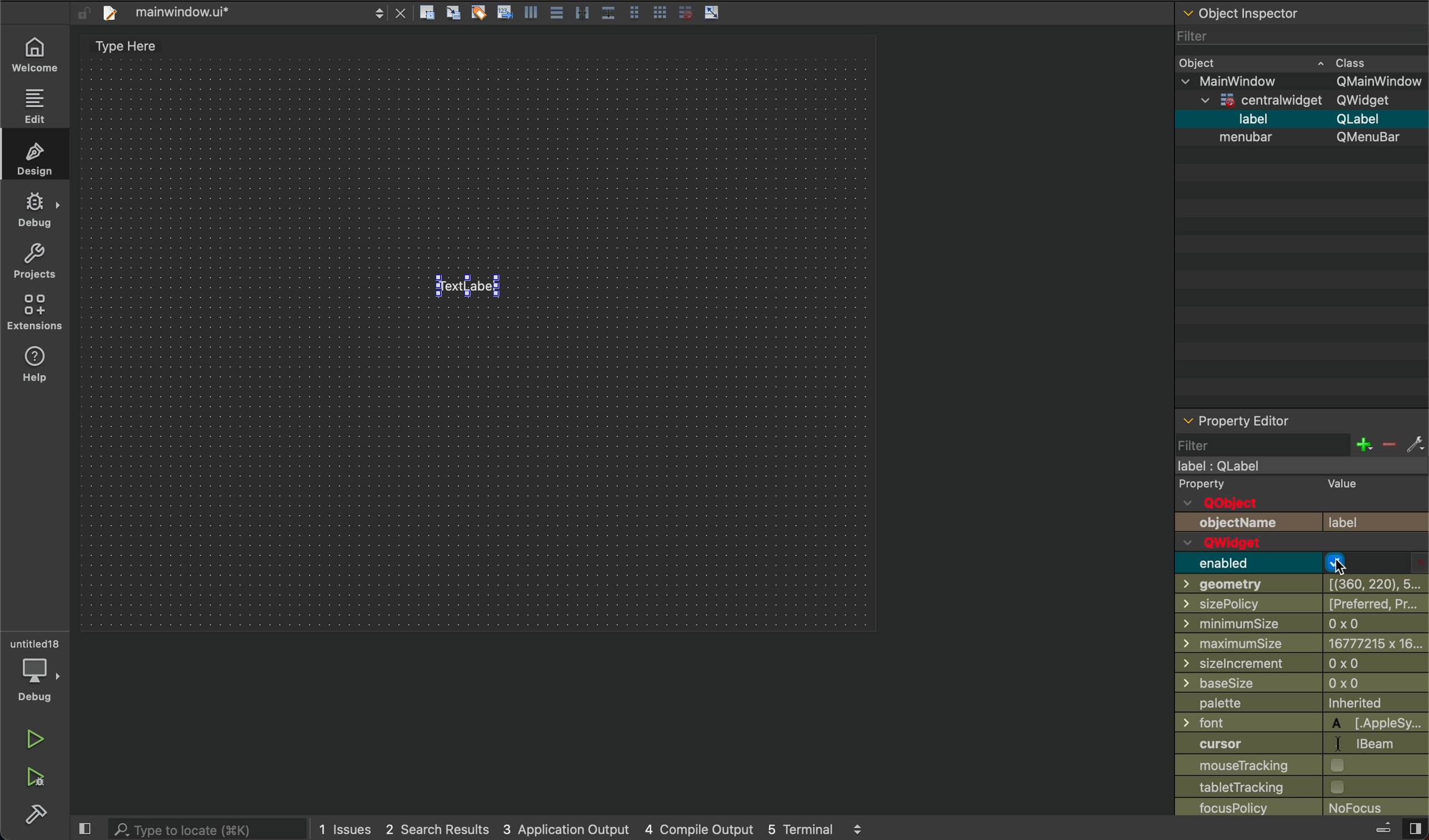 The image size is (1429, 840). Describe the element at coordinates (1244, 662) in the screenshot. I see `sizelncrement` at that location.